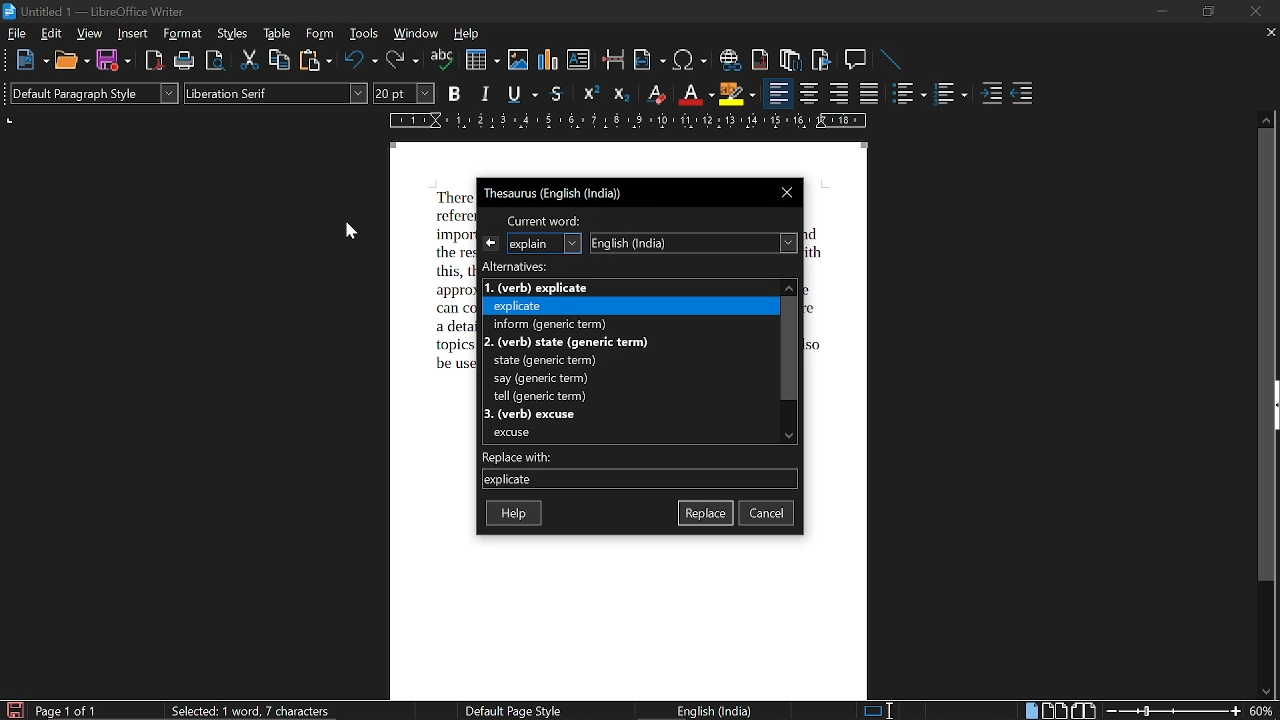  Describe the element at coordinates (216, 62) in the screenshot. I see `toggle print preview` at that location.